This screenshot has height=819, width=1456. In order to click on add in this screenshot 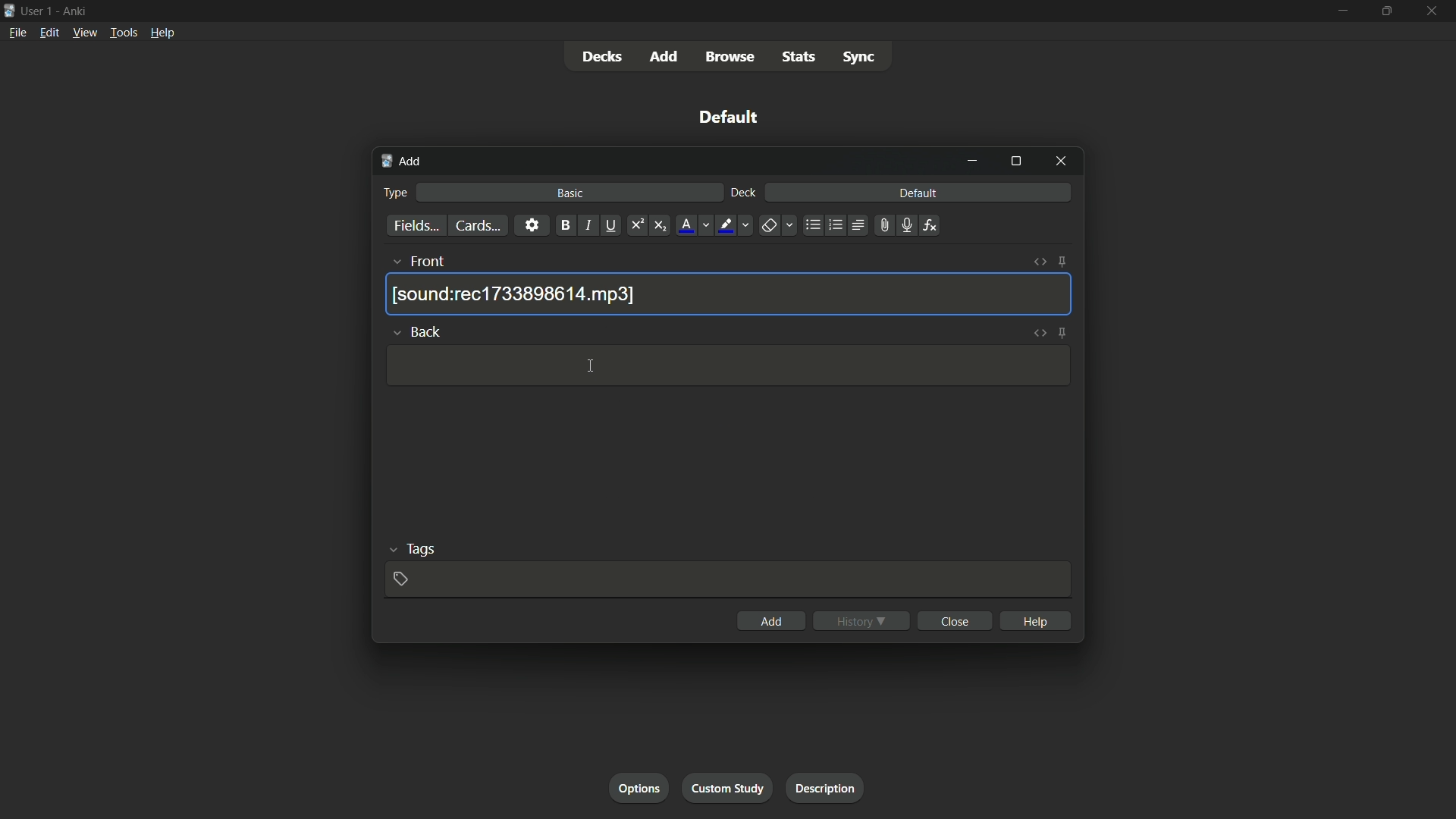, I will do `click(665, 56)`.